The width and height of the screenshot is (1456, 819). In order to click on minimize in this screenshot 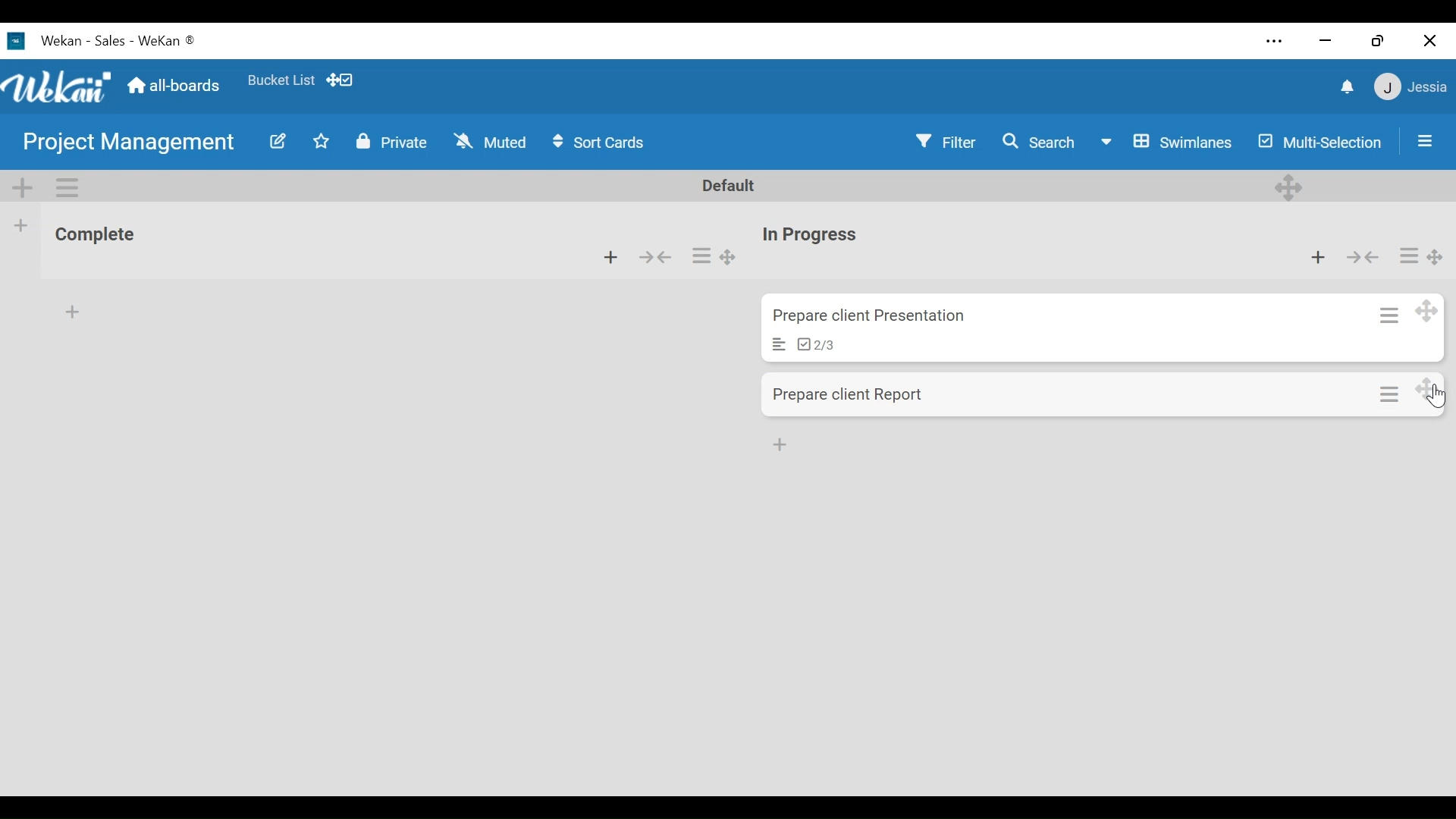, I will do `click(1323, 40)`.